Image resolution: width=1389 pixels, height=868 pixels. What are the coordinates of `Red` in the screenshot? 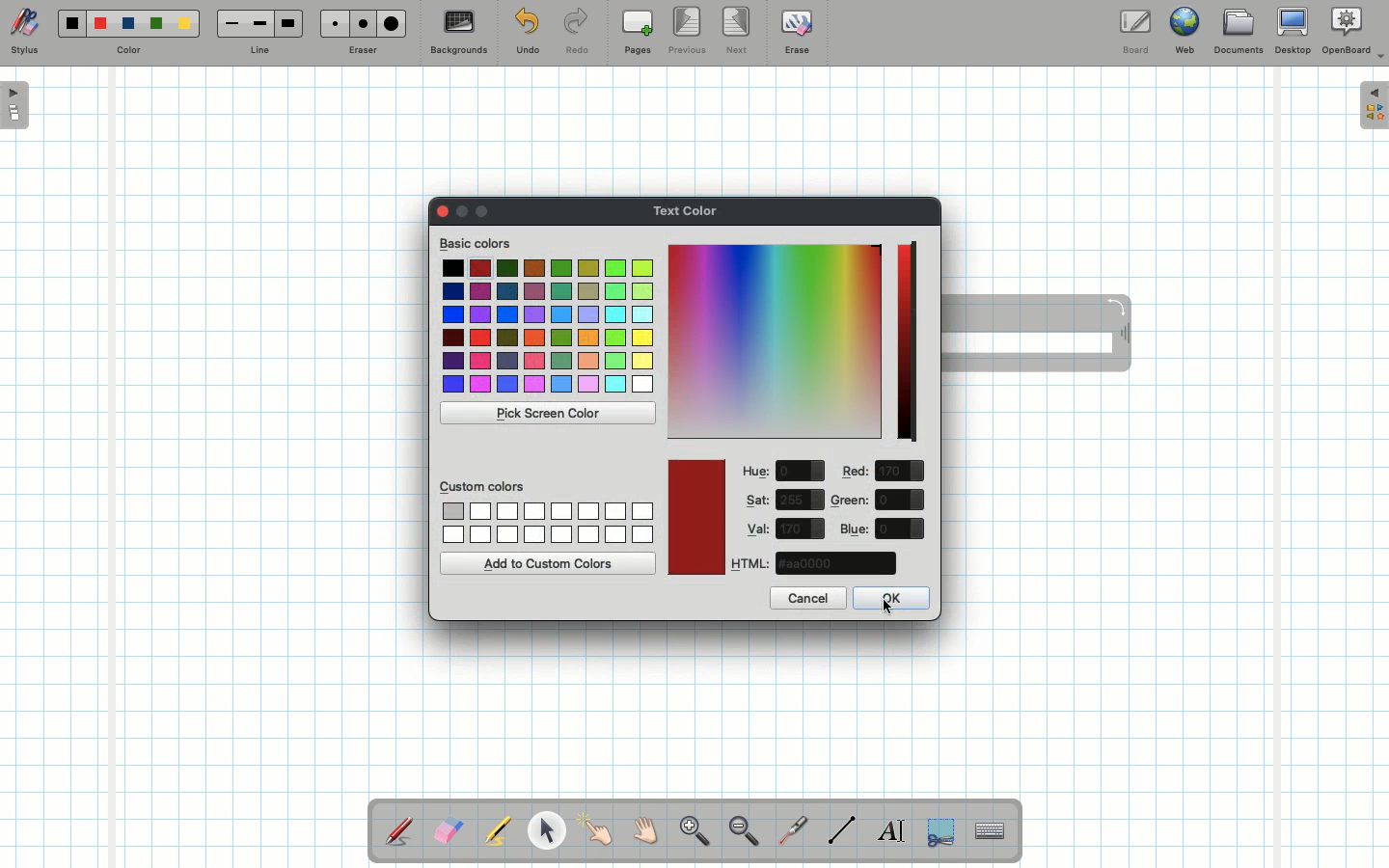 It's located at (101, 24).